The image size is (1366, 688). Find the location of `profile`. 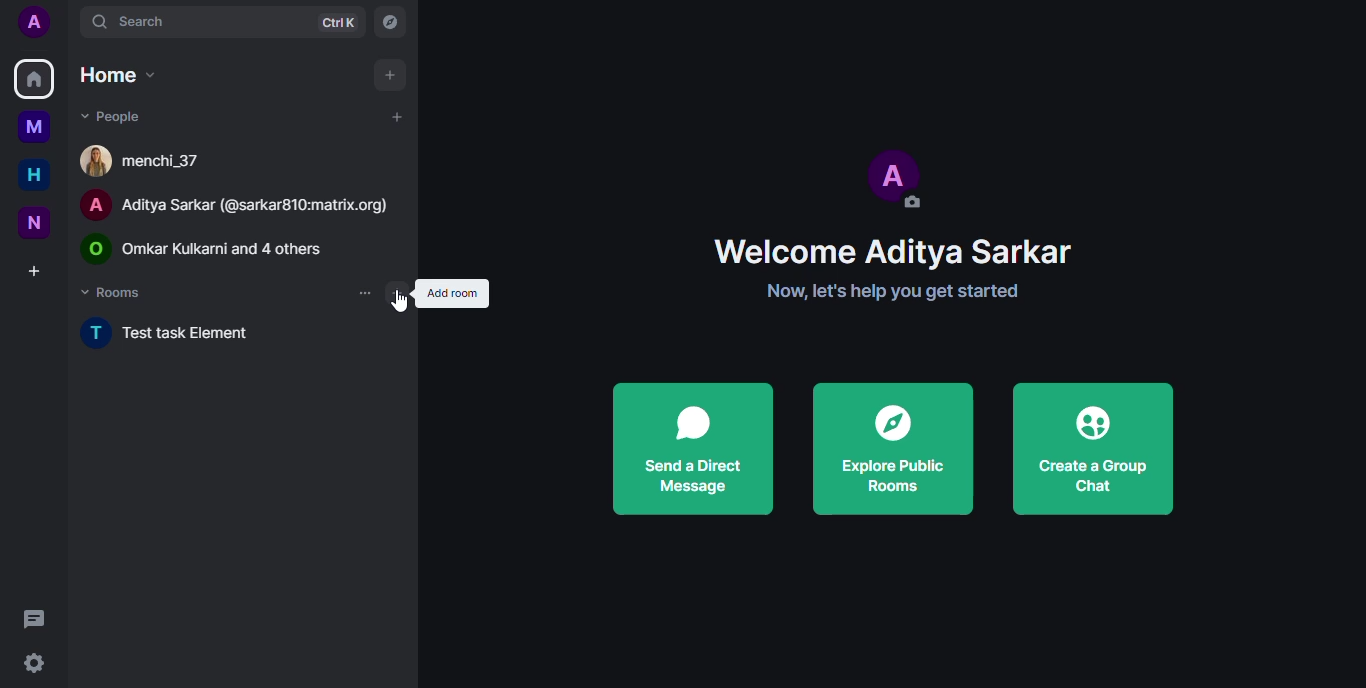

profile is located at coordinates (898, 176).